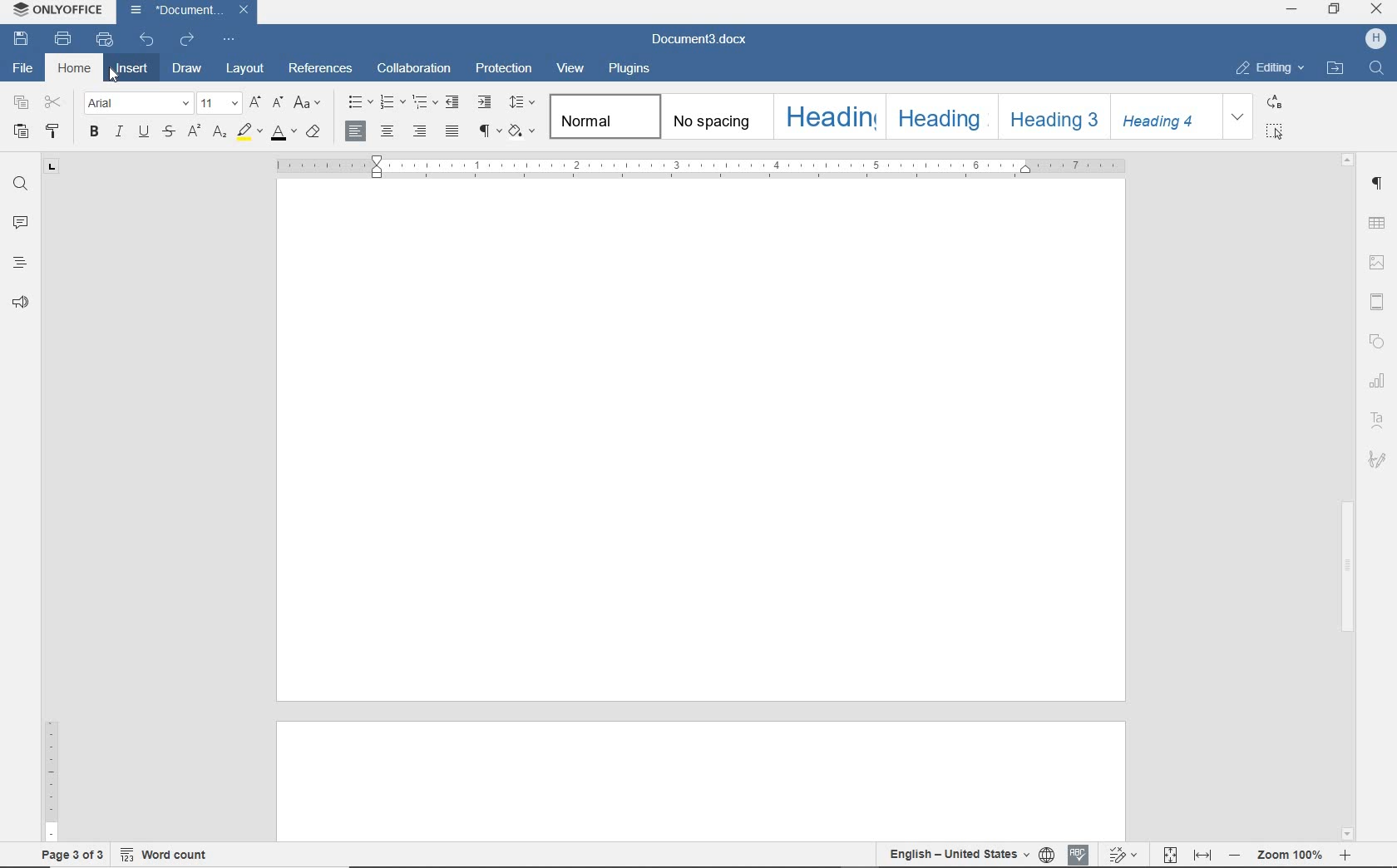 The image size is (1397, 868). What do you see at coordinates (278, 102) in the screenshot?
I see `DECREASE FONT SIZE` at bounding box center [278, 102].